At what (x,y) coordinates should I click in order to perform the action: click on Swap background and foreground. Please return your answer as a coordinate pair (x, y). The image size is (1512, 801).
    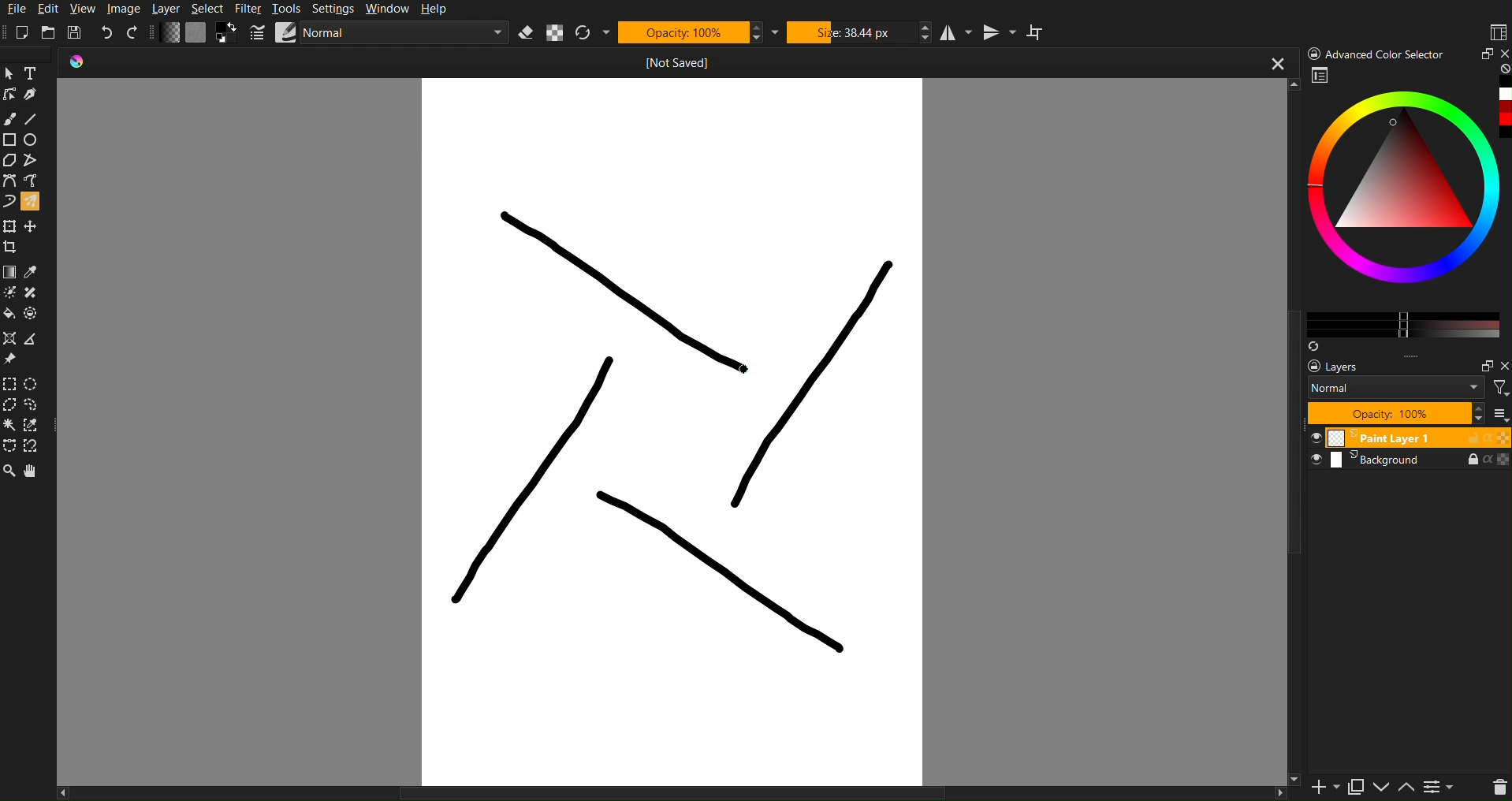
    Looking at the image, I should click on (229, 32).